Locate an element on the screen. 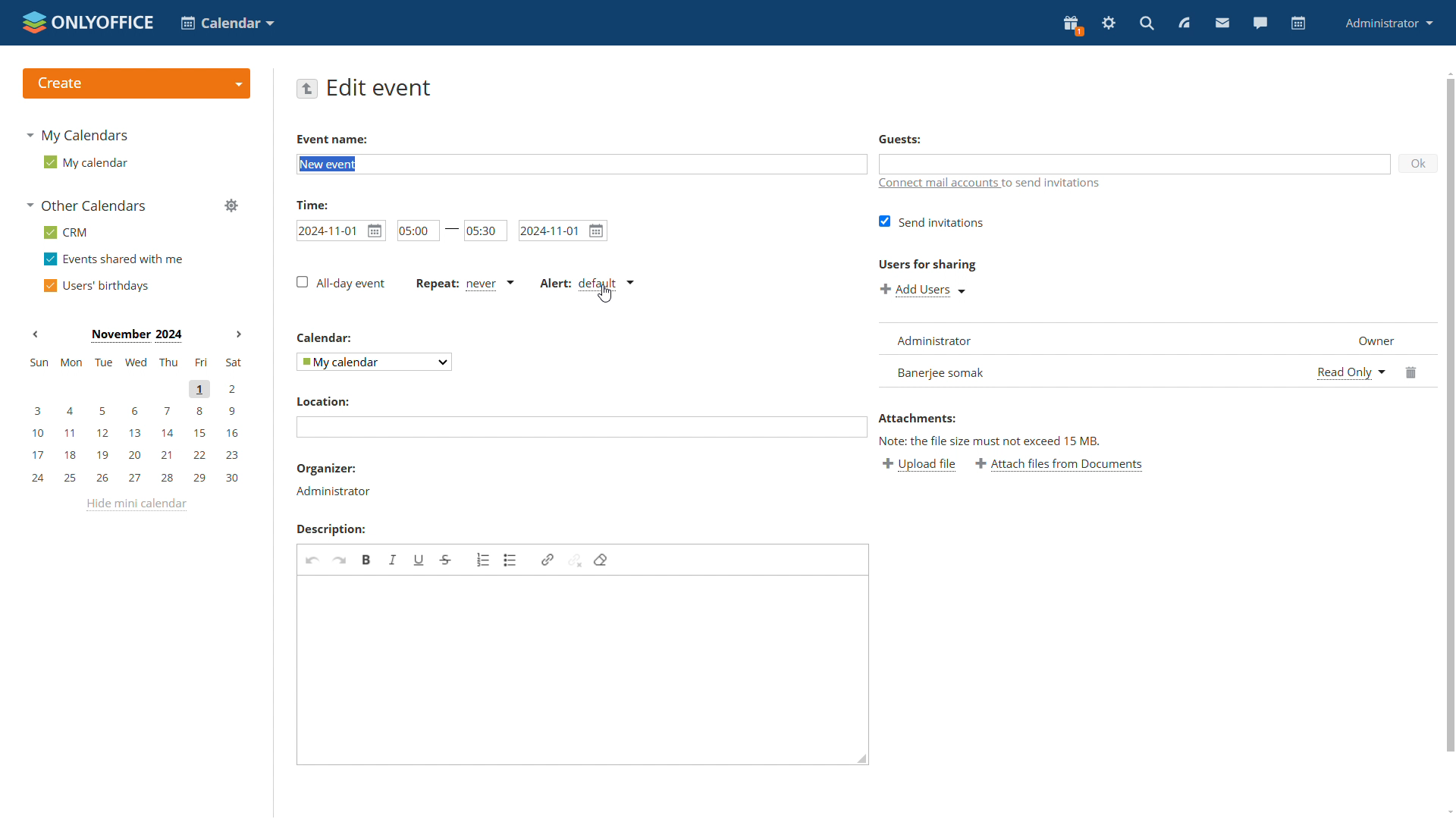  search is located at coordinates (1146, 24).